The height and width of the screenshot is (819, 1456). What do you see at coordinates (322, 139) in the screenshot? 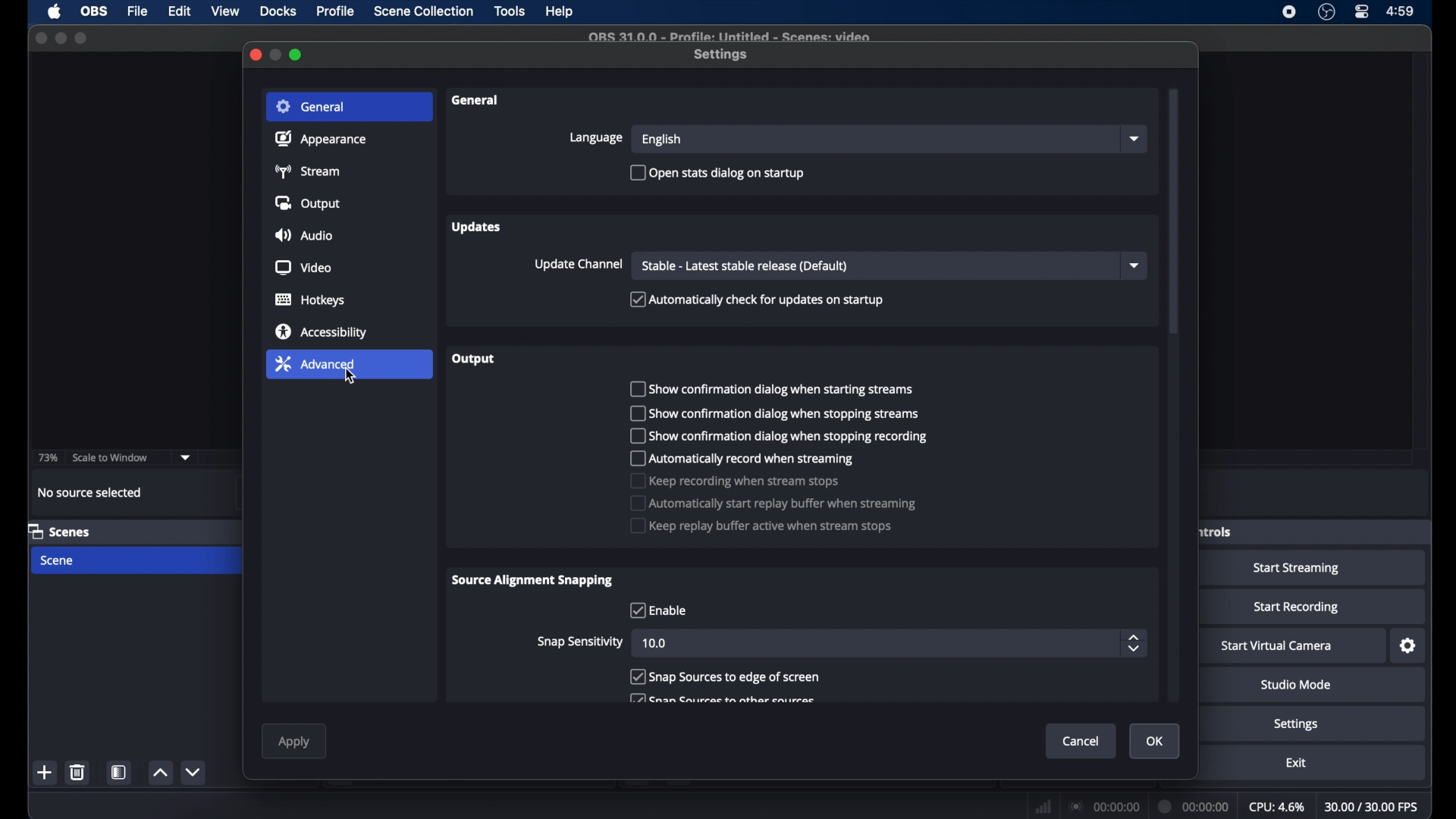
I see `appearance` at bounding box center [322, 139].